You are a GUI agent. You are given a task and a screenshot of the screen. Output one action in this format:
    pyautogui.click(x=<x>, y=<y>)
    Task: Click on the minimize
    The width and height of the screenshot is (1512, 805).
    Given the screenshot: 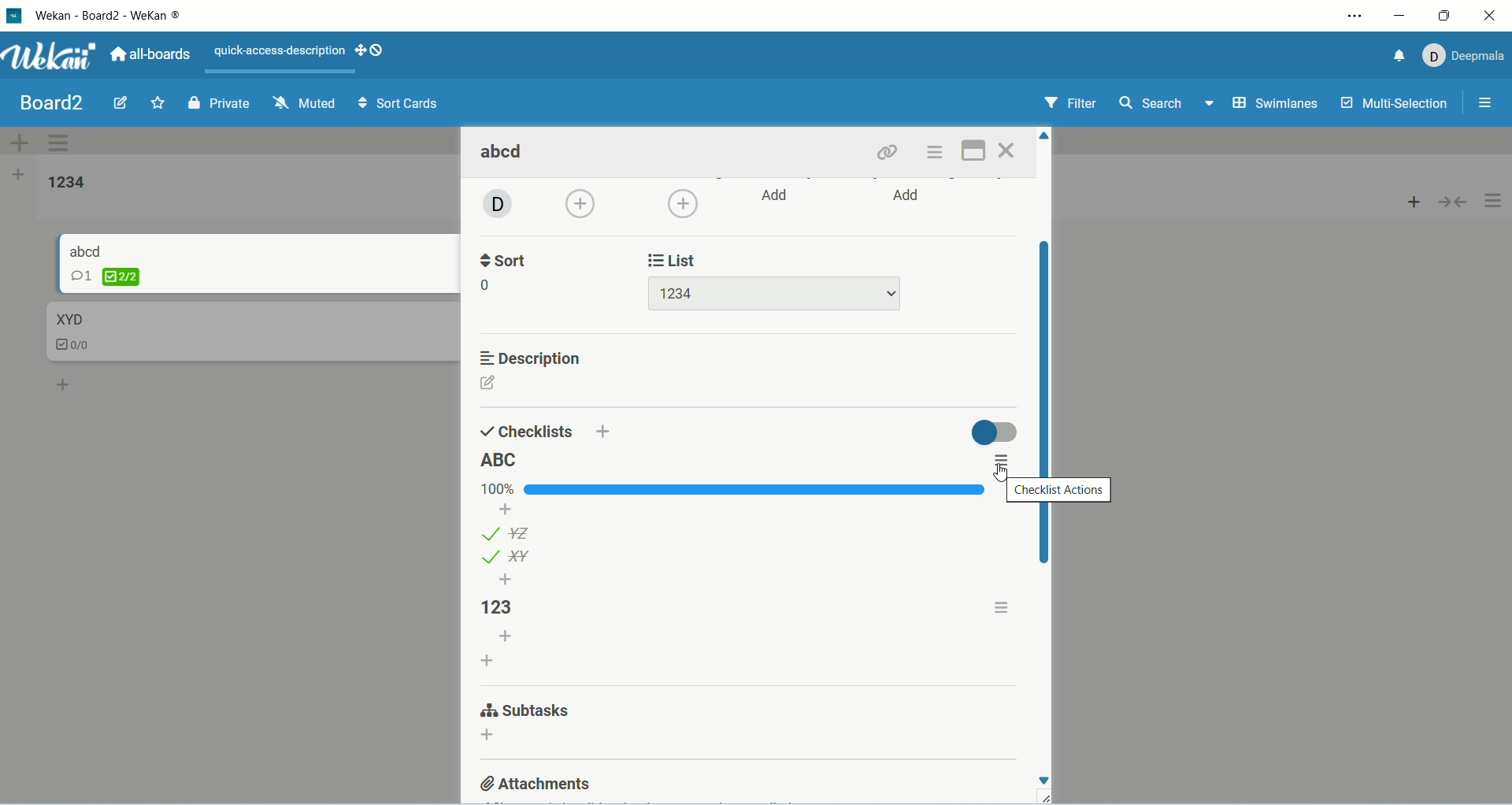 What is the action you would take?
    pyautogui.click(x=1403, y=19)
    